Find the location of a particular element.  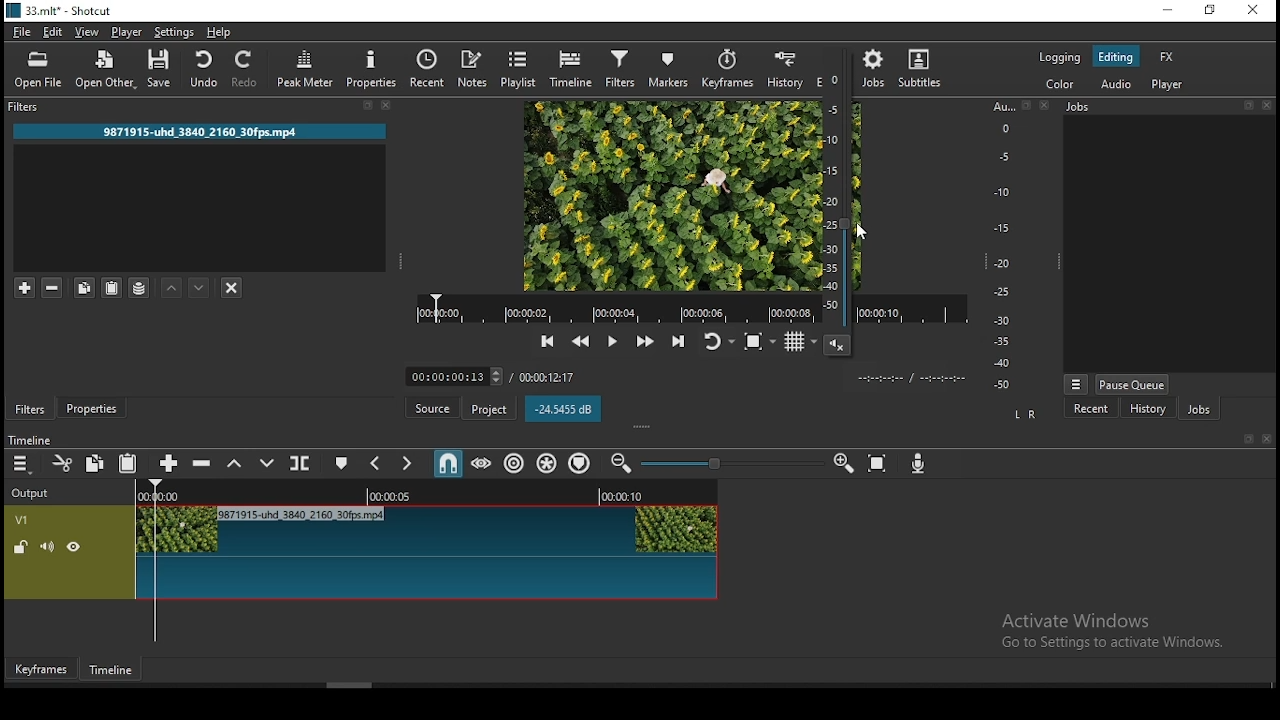

L R is located at coordinates (1025, 415).